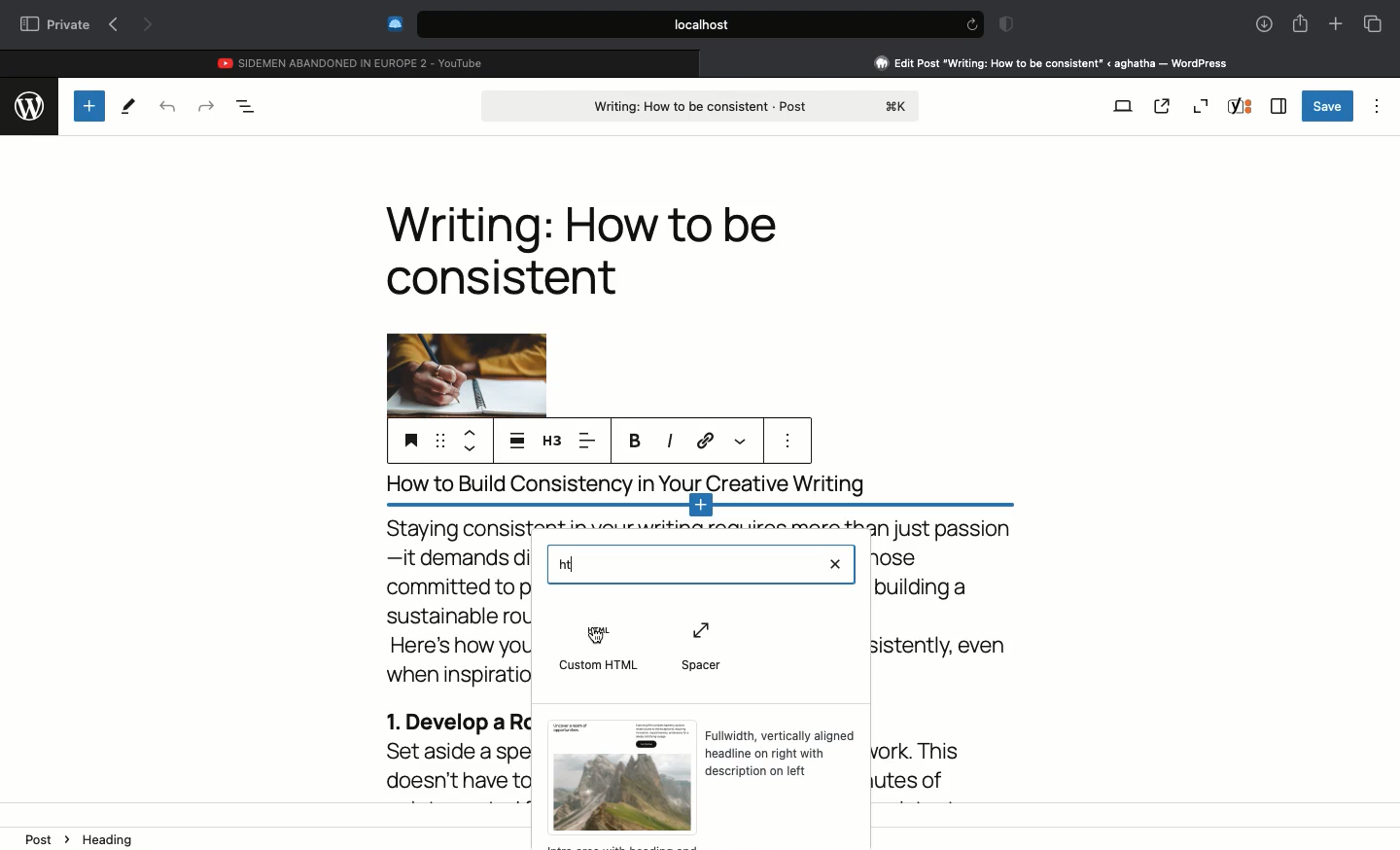 The width and height of the screenshot is (1400, 850). Describe the element at coordinates (1003, 25) in the screenshot. I see `Badge` at that location.